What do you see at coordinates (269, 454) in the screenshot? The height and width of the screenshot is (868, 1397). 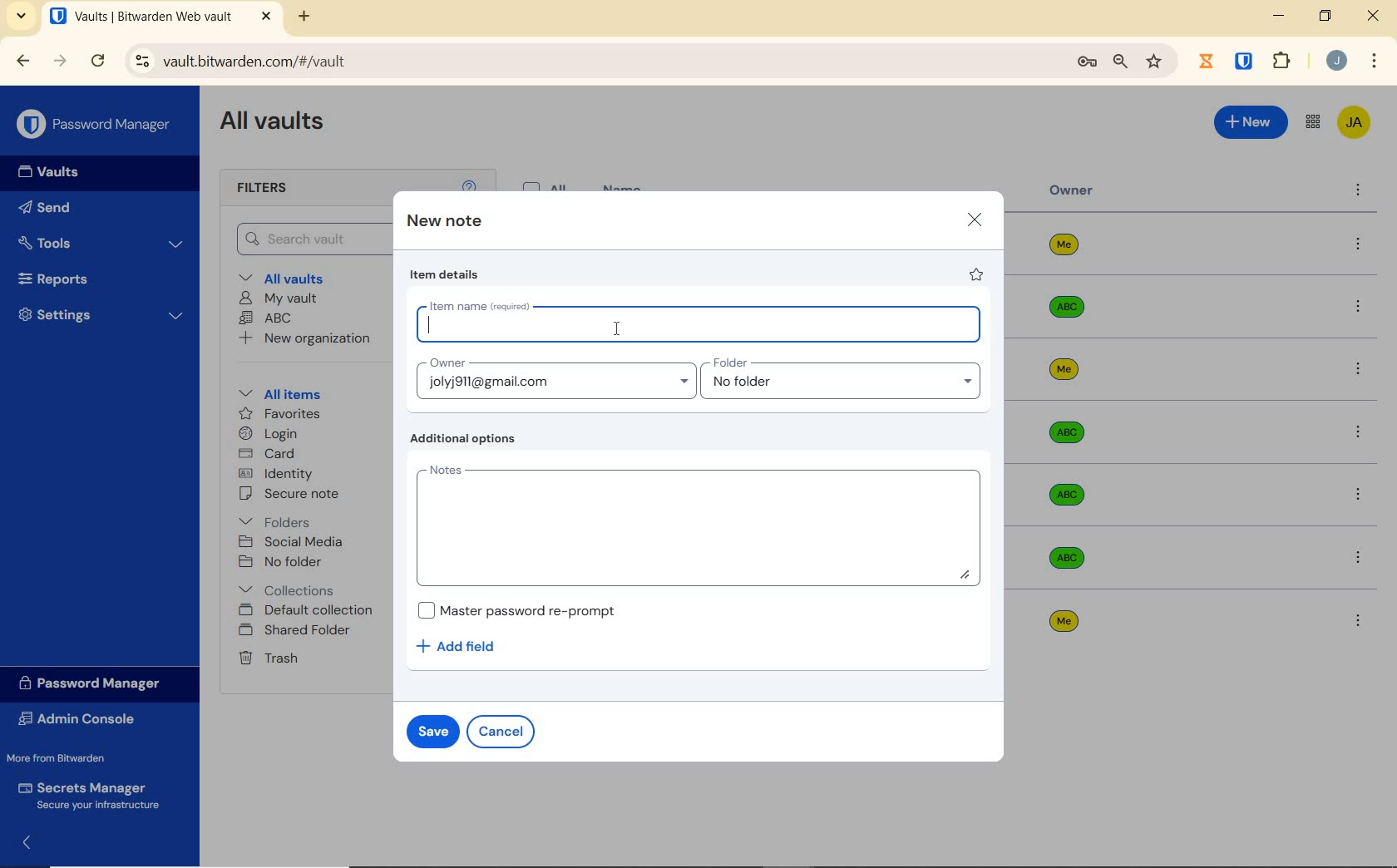 I see `card` at bounding box center [269, 454].